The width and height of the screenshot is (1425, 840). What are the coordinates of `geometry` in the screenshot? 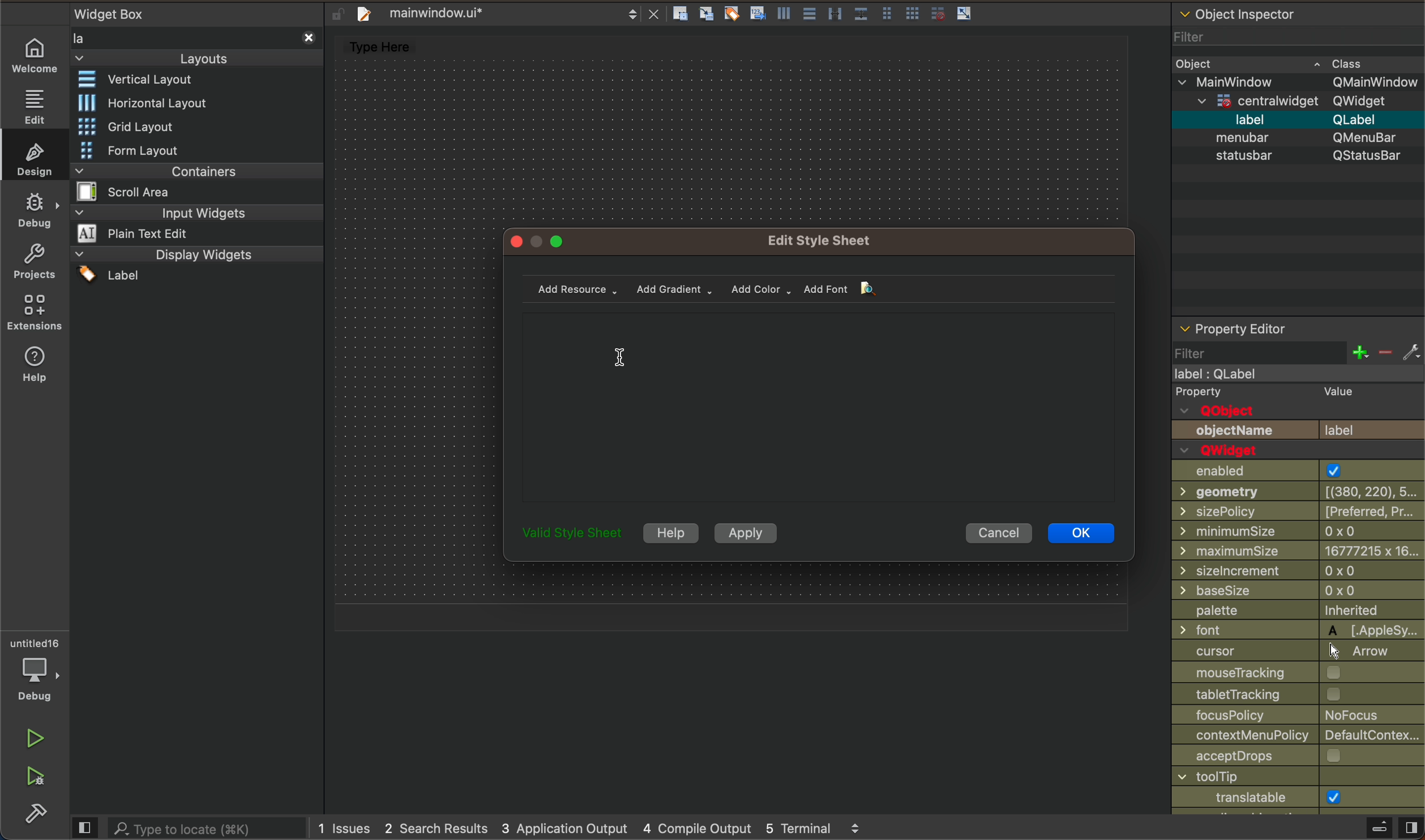 It's located at (1295, 492).